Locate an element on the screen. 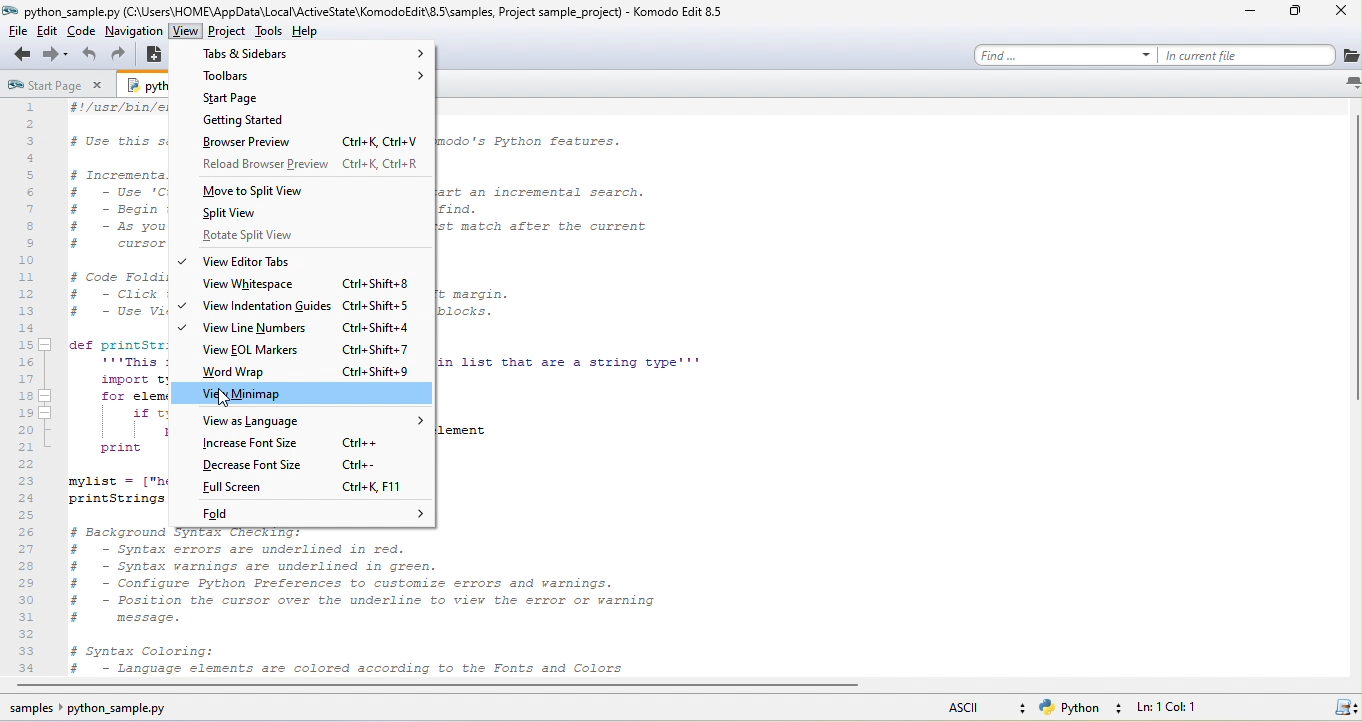  close is located at coordinates (1345, 13).